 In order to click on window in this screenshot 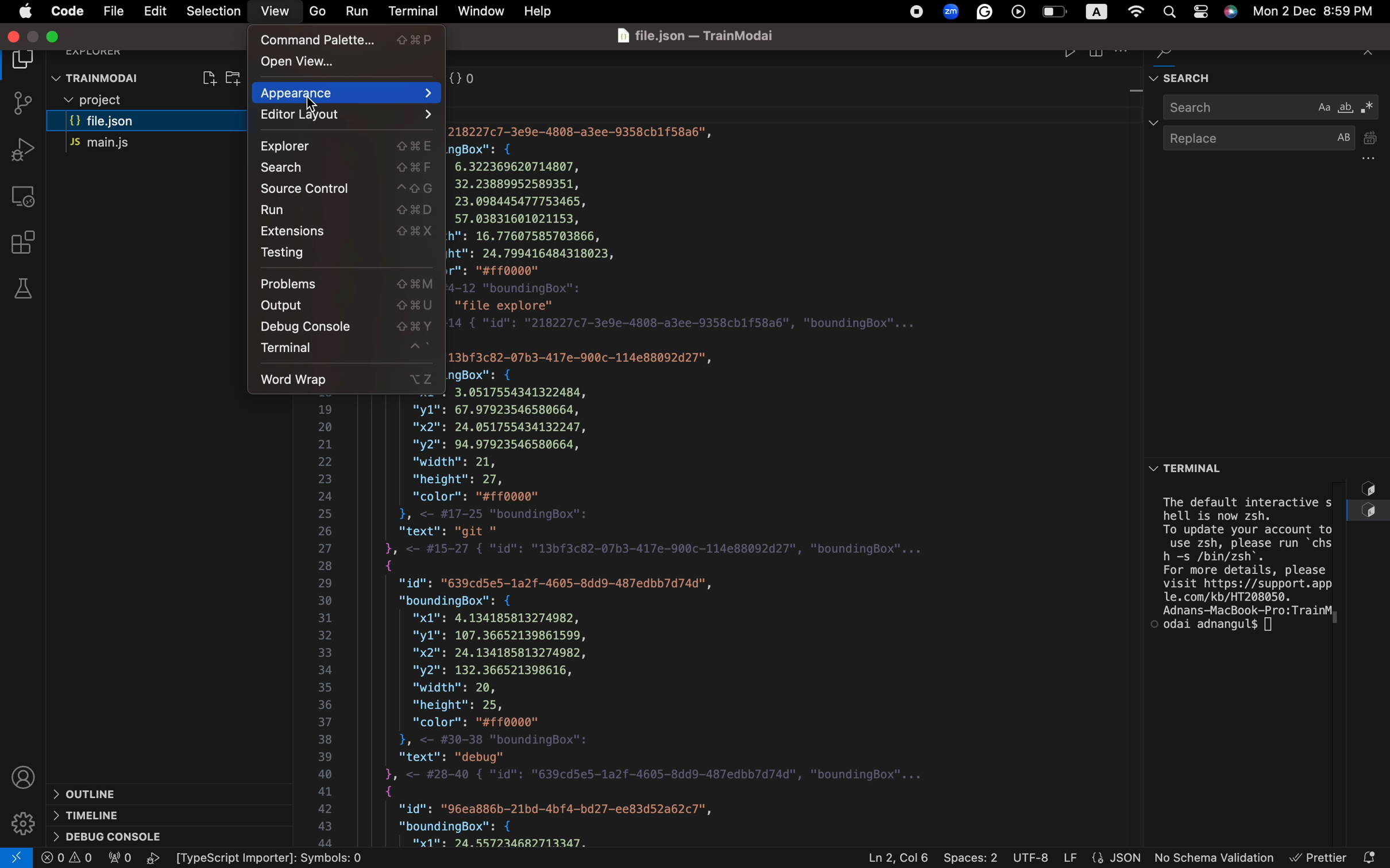, I will do `click(480, 9)`.